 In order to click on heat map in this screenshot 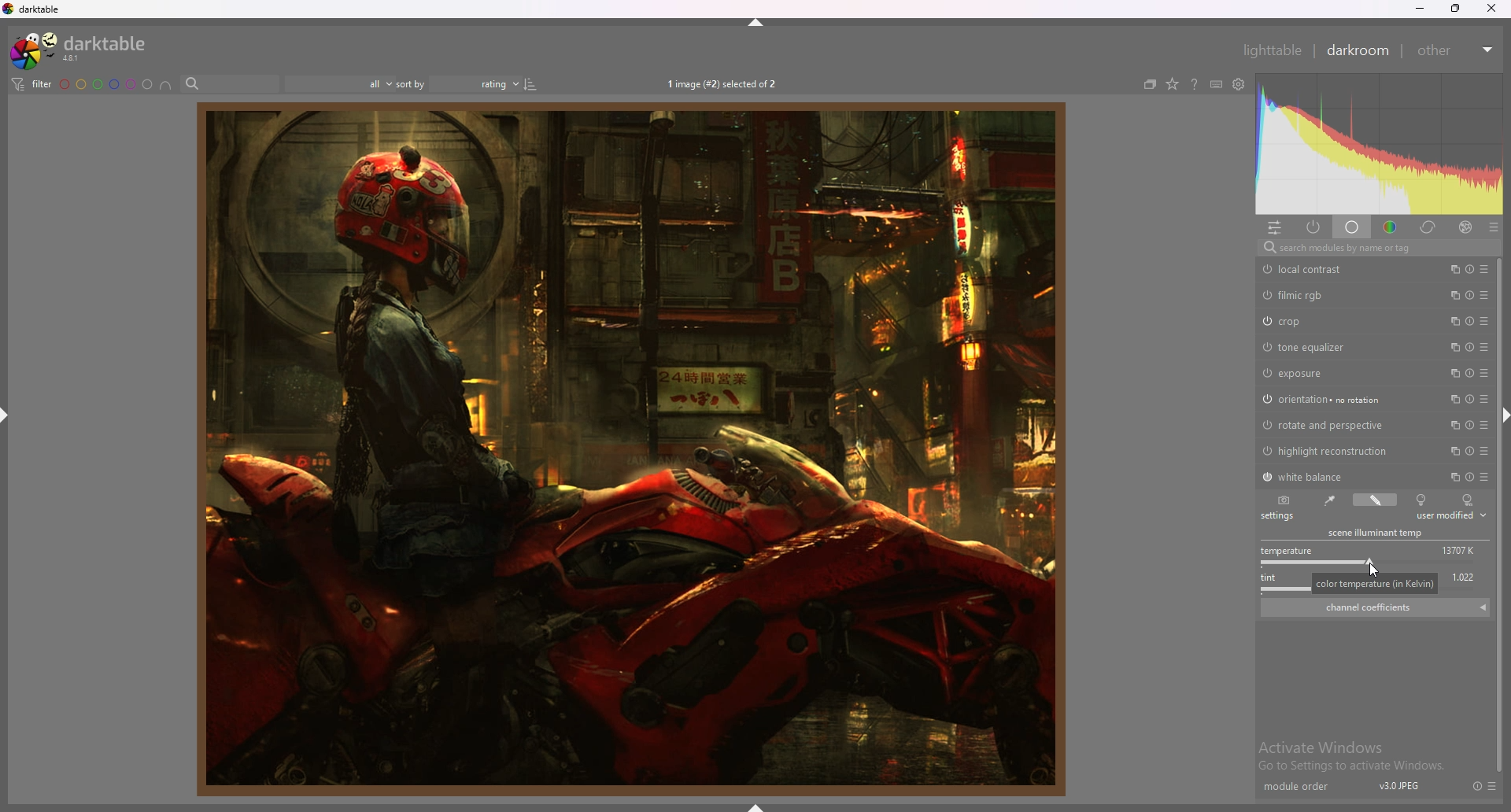, I will do `click(1379, 146)`.